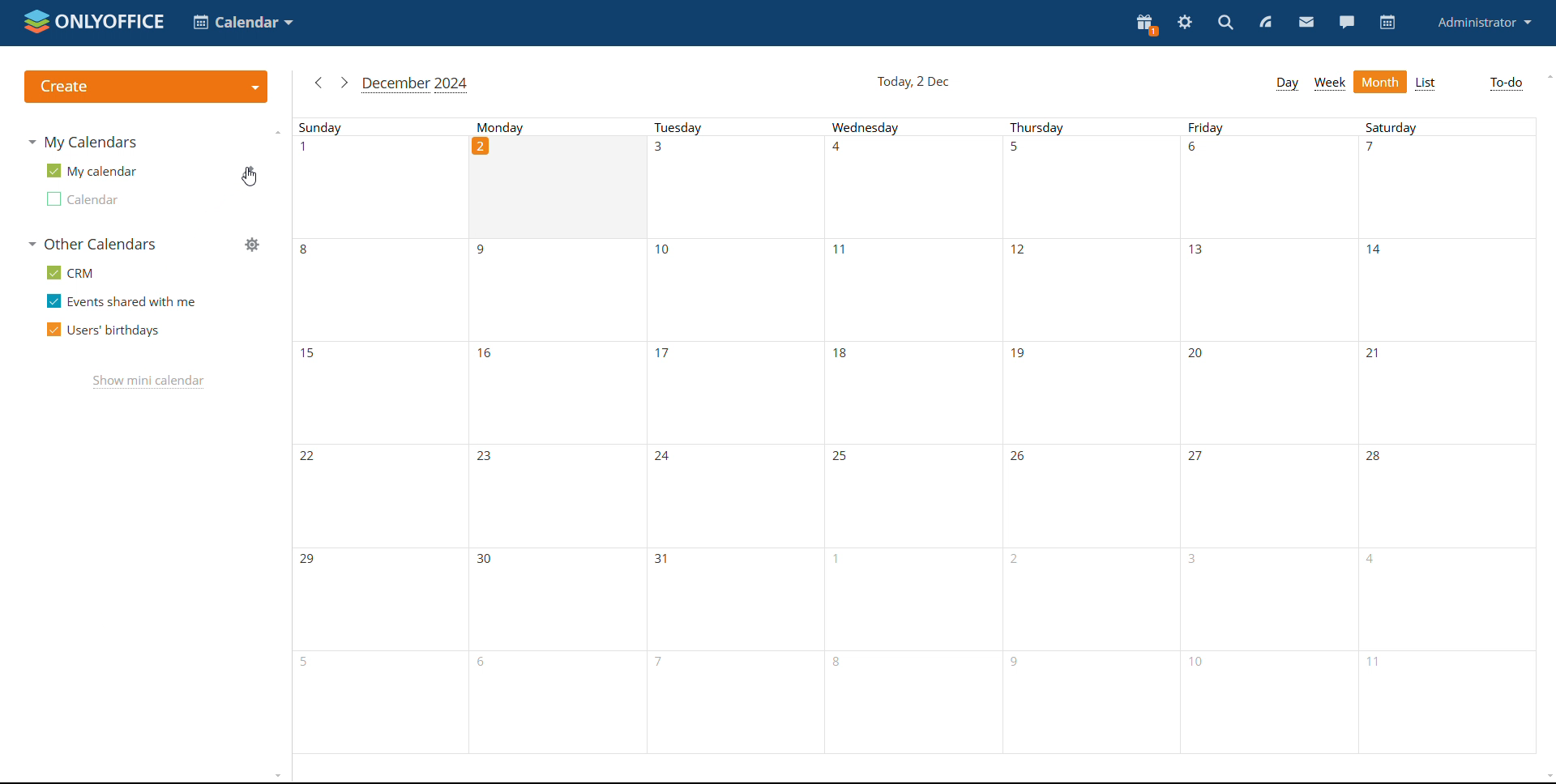 Image resolution: width=1556 pixels, height=784 pixels. What do you see at coordinates (251, 245) in the screenshot?
I see `manage` at bounding box center [251, 245].